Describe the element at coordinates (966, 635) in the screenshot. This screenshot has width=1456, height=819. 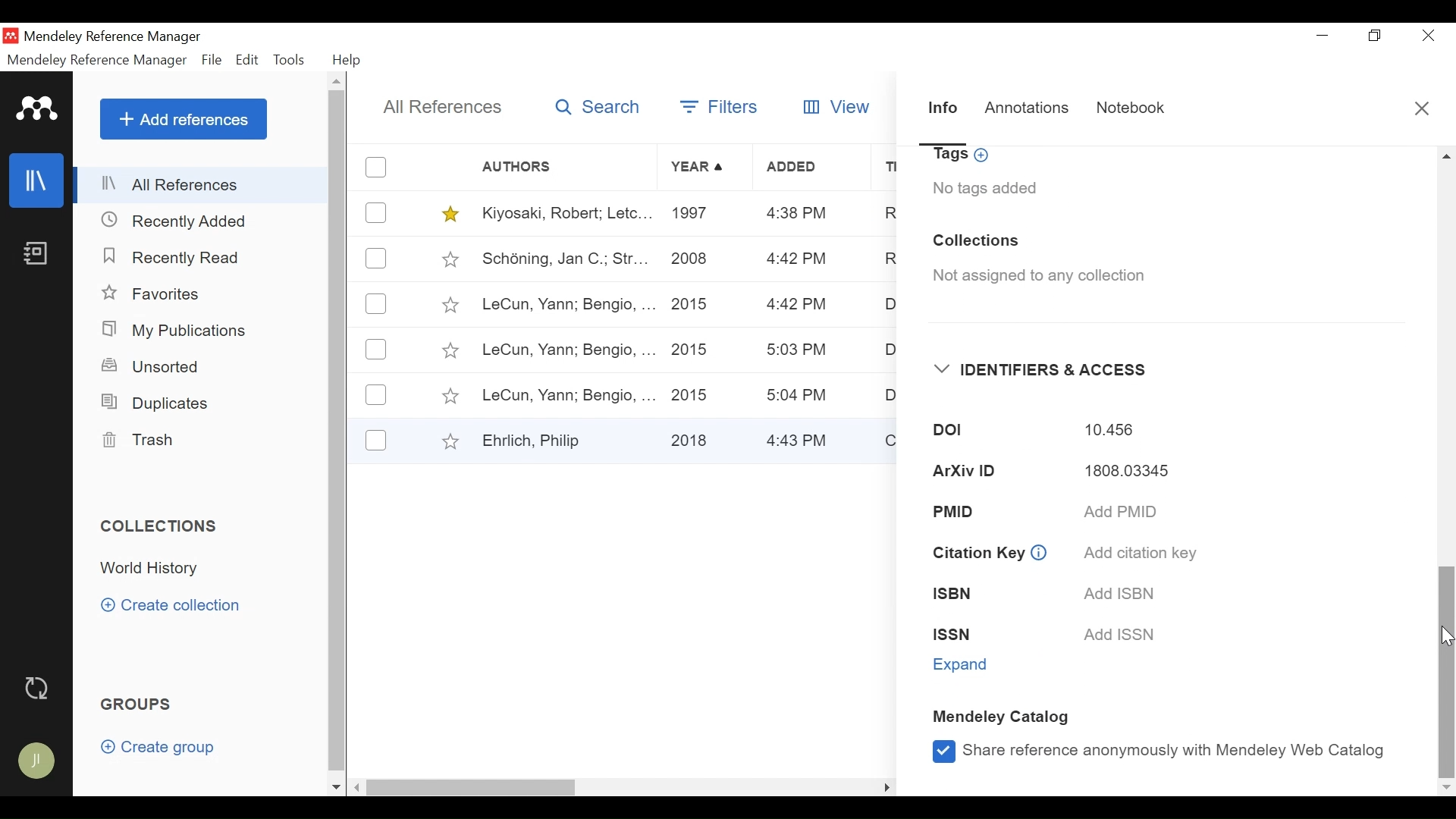
I see `ISSN` at that location.